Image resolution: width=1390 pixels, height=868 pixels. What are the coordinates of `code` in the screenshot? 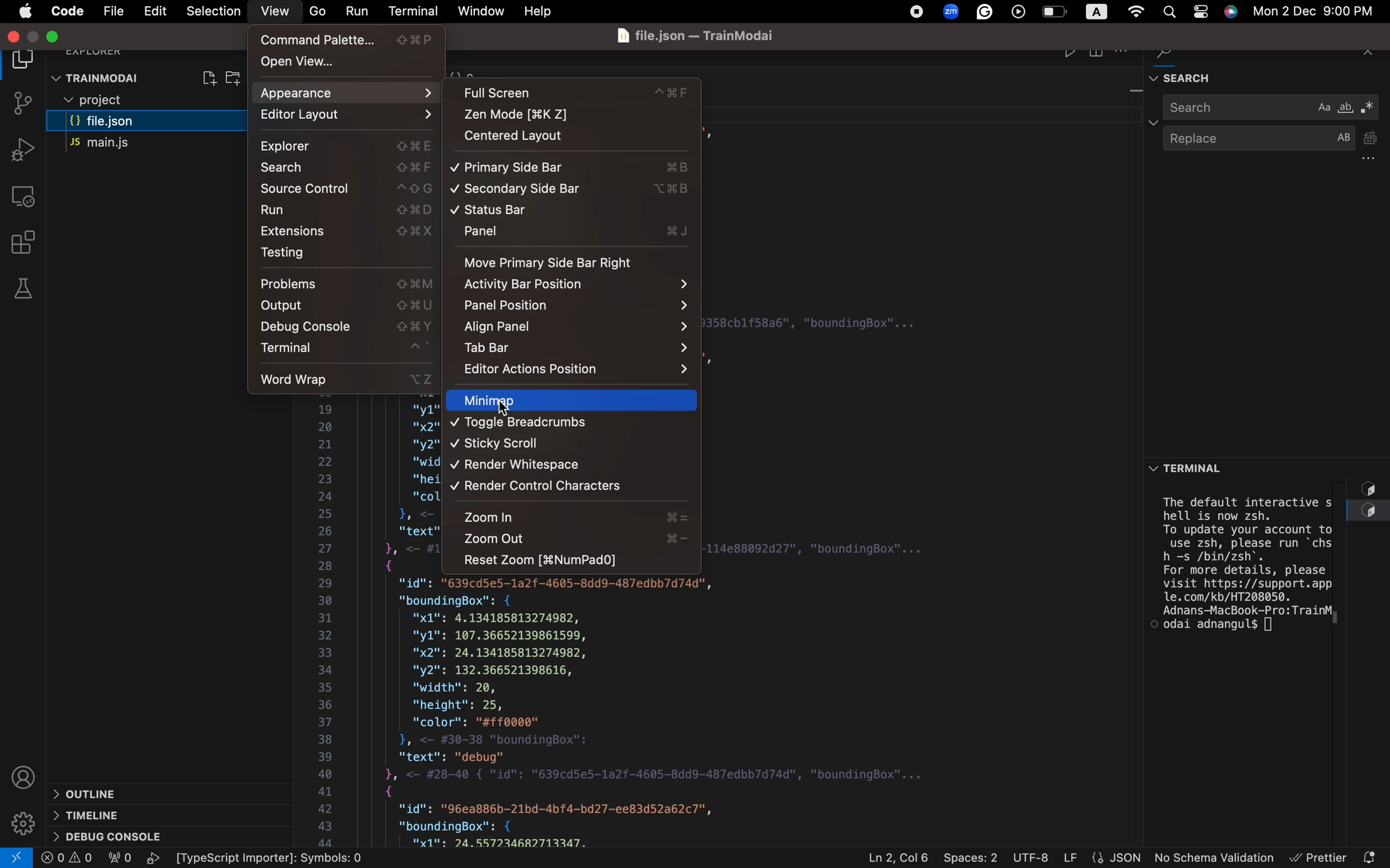 It's located at (65, 10).